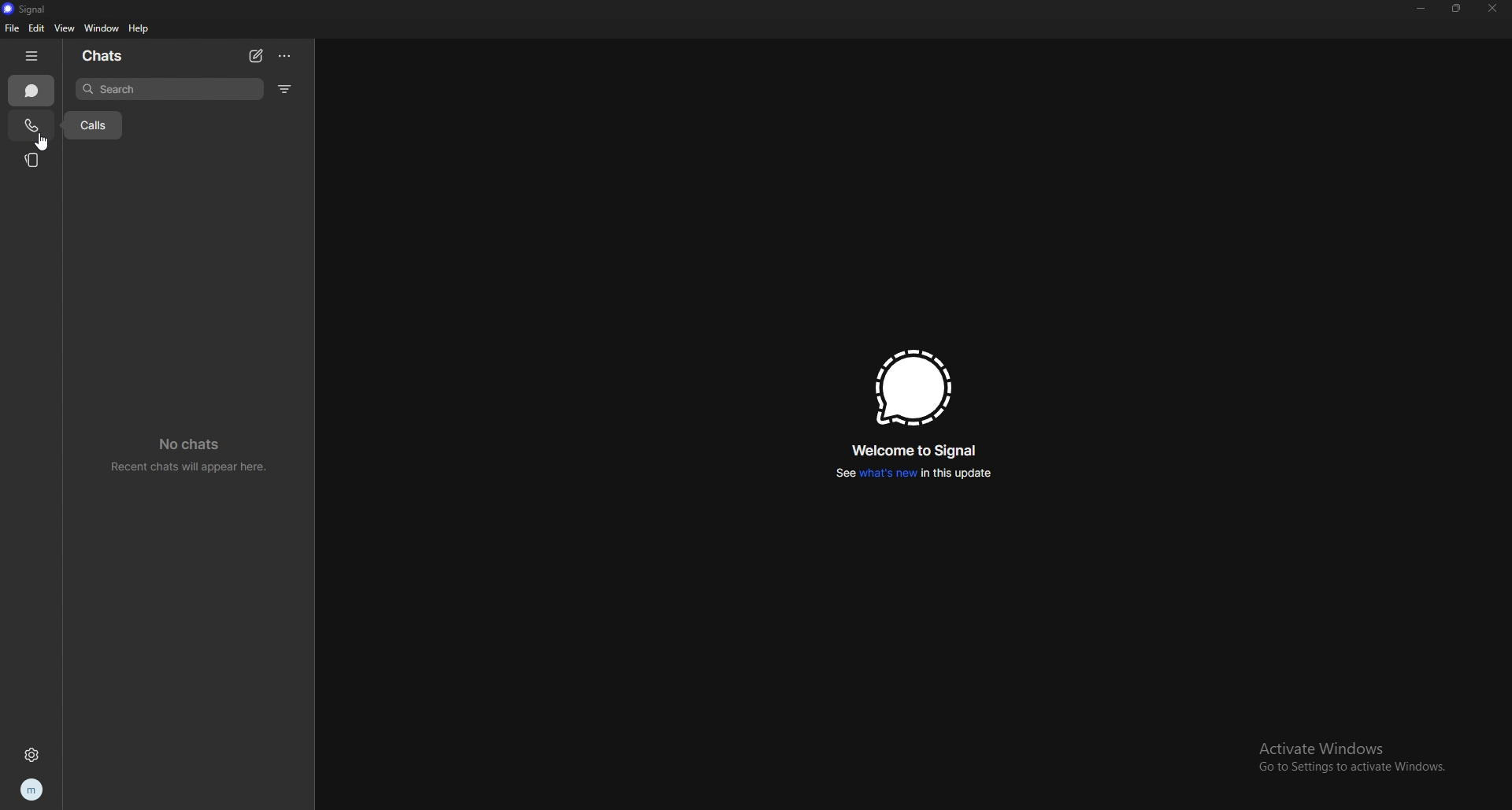 The image size is (1512, 810). What do you see at coordinates (169, 88) in the screenshot?
I see `search` at bounding box center [169, 88].